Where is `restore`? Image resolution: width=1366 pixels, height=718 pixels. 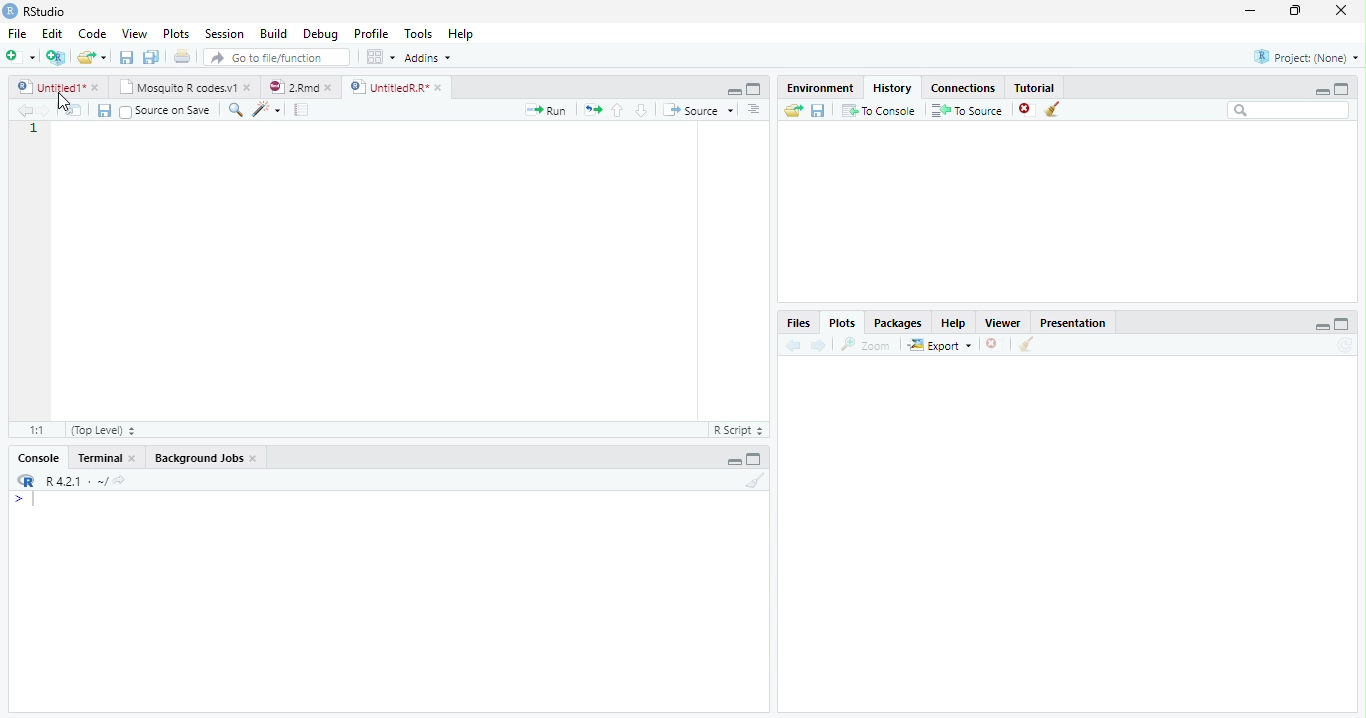
restore is located at coordinates (1295, 11).